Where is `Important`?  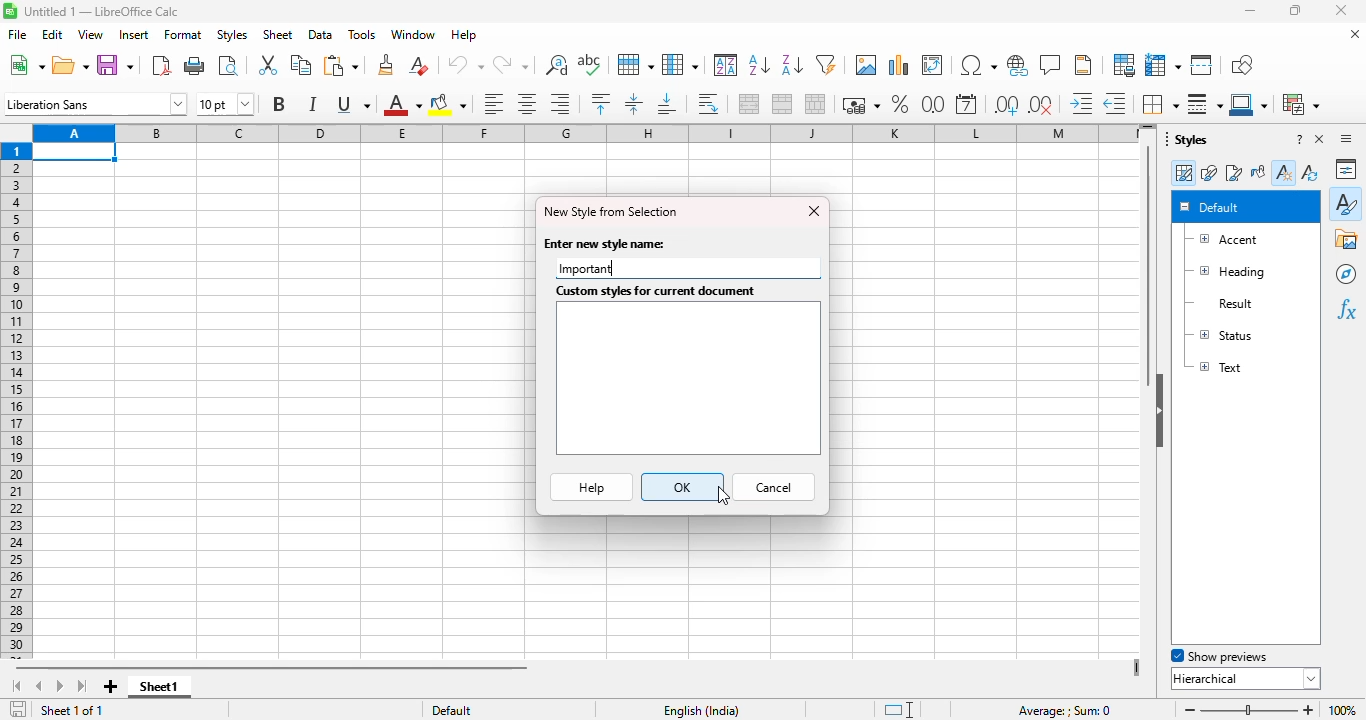 Important is located at coordinates (587, 268).